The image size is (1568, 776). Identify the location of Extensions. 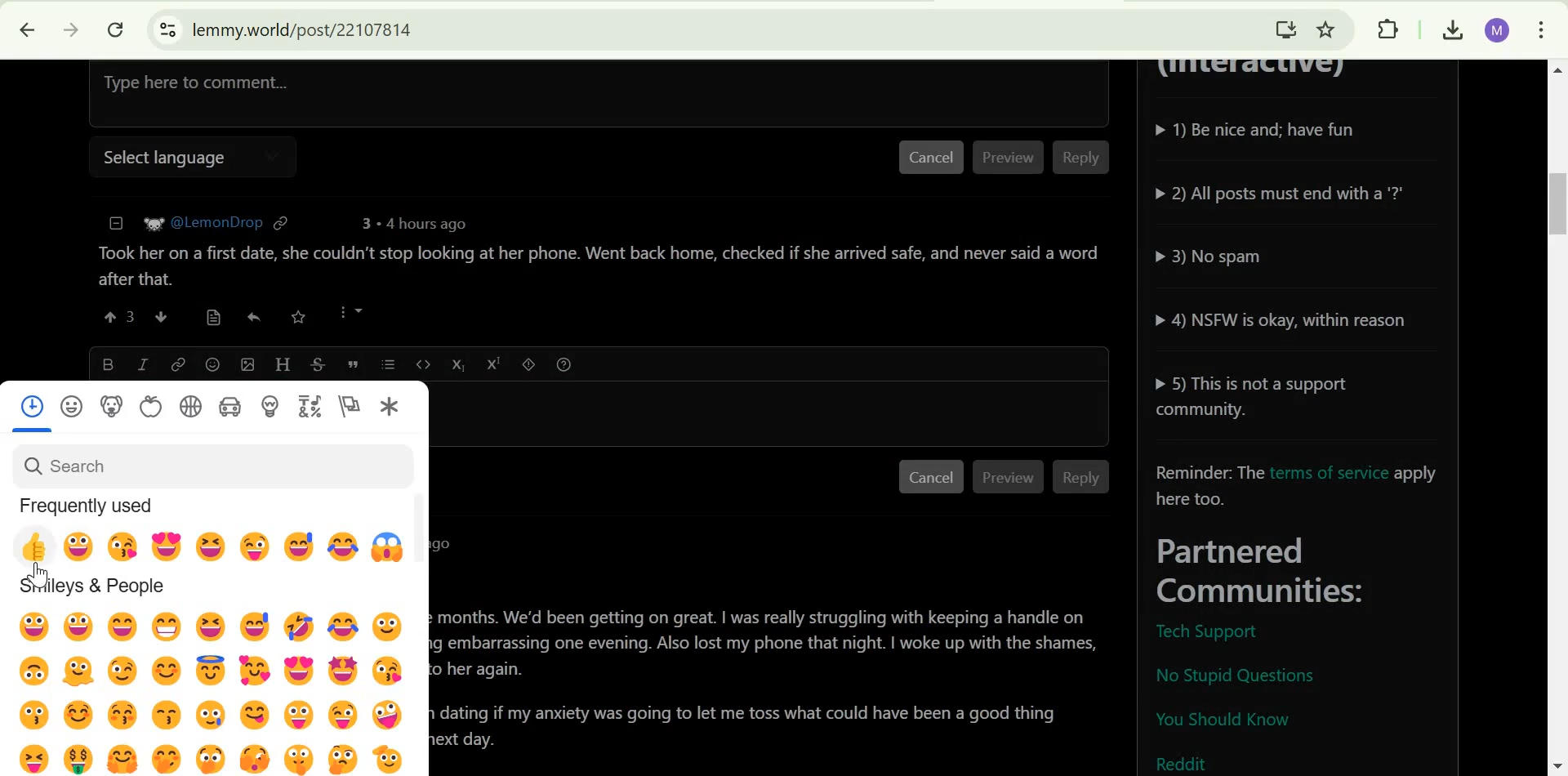
(1388, 29).